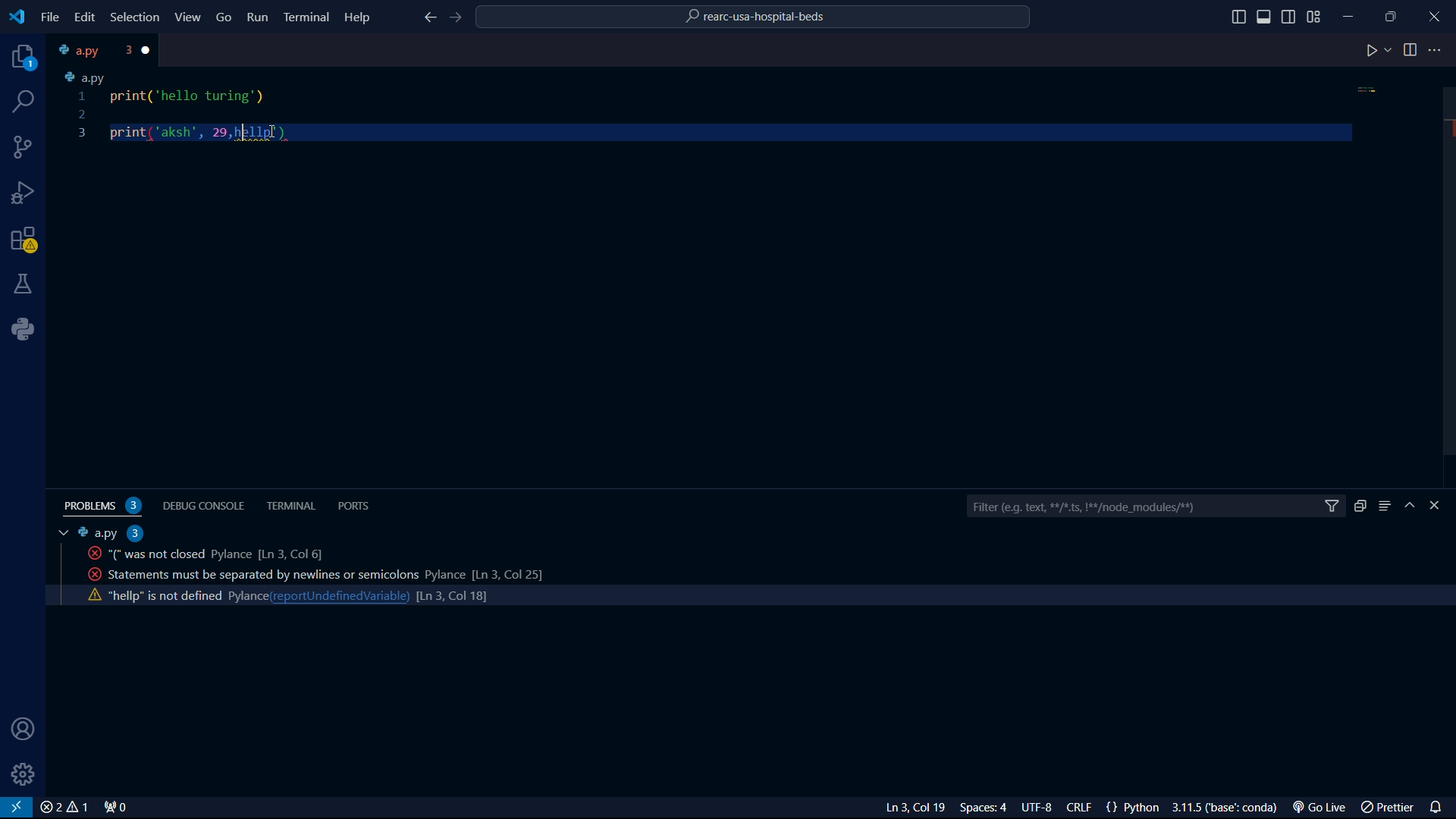 This screenshot has width=1456, height=819. Describe the element at coordinates (306, 16) in the screenshot. I see `Terminal` at that location.